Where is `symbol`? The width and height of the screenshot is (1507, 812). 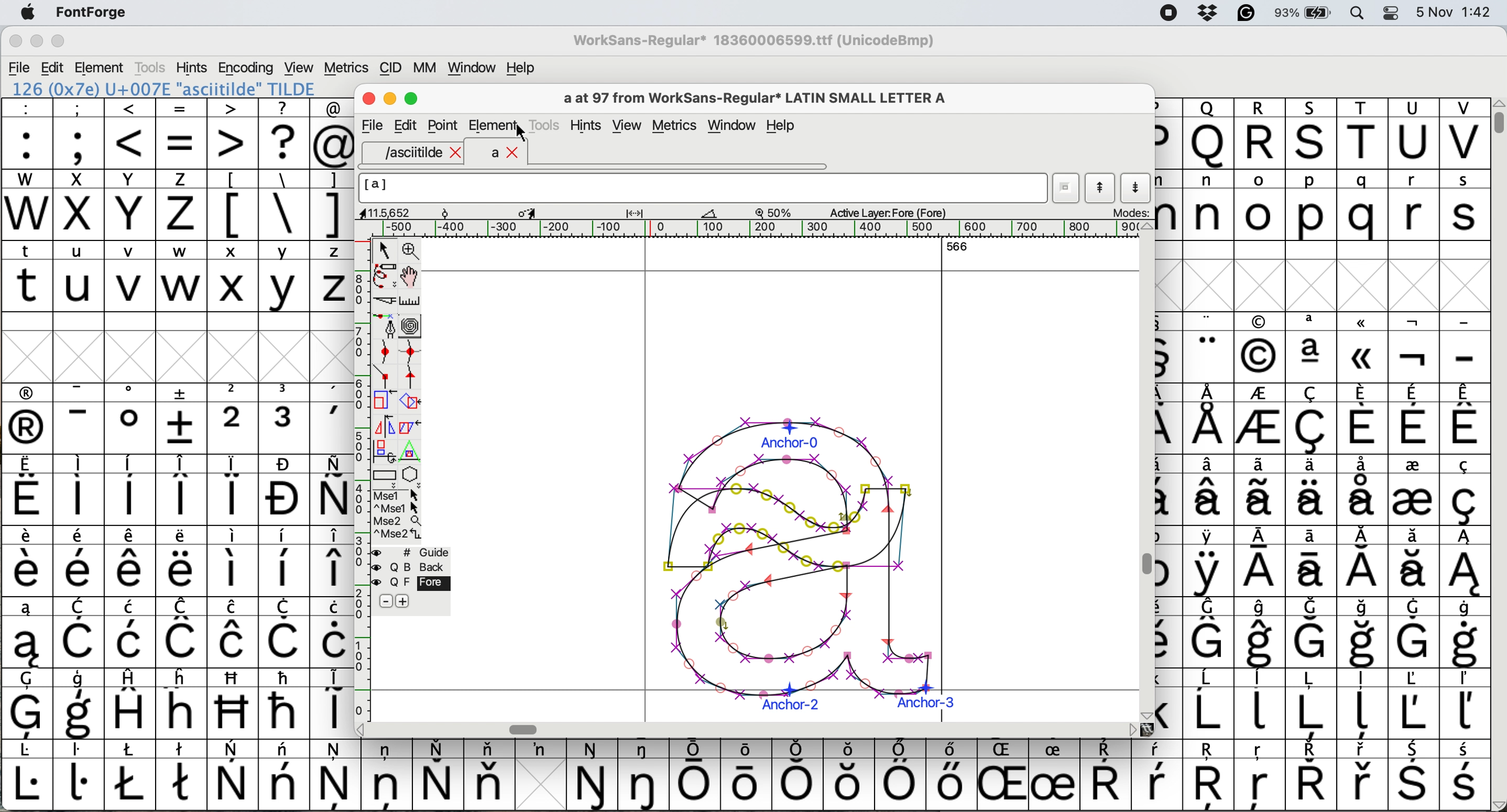 symbol is located at coordinates (79, 774).